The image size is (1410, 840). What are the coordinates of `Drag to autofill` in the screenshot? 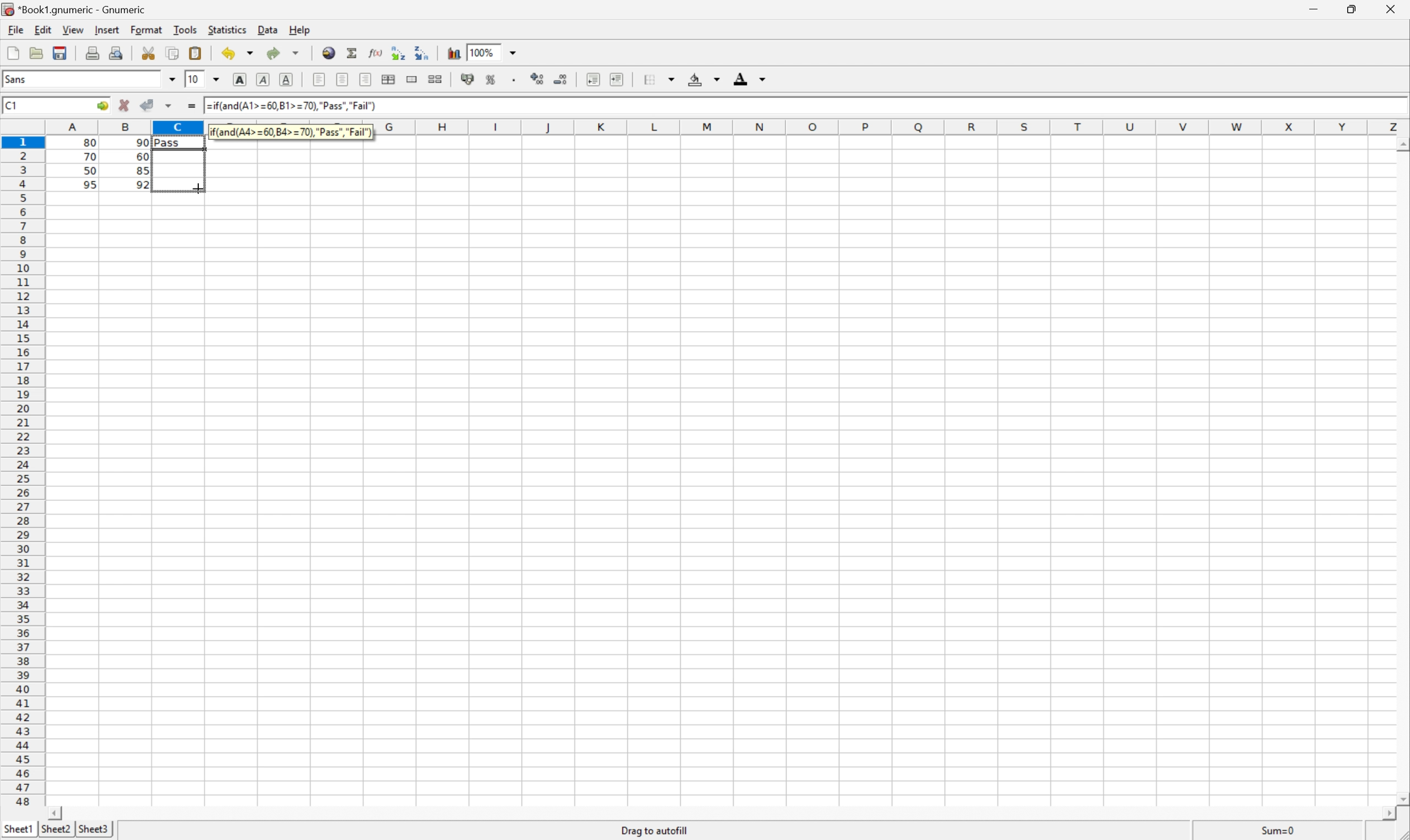 It's located at (655, 828).